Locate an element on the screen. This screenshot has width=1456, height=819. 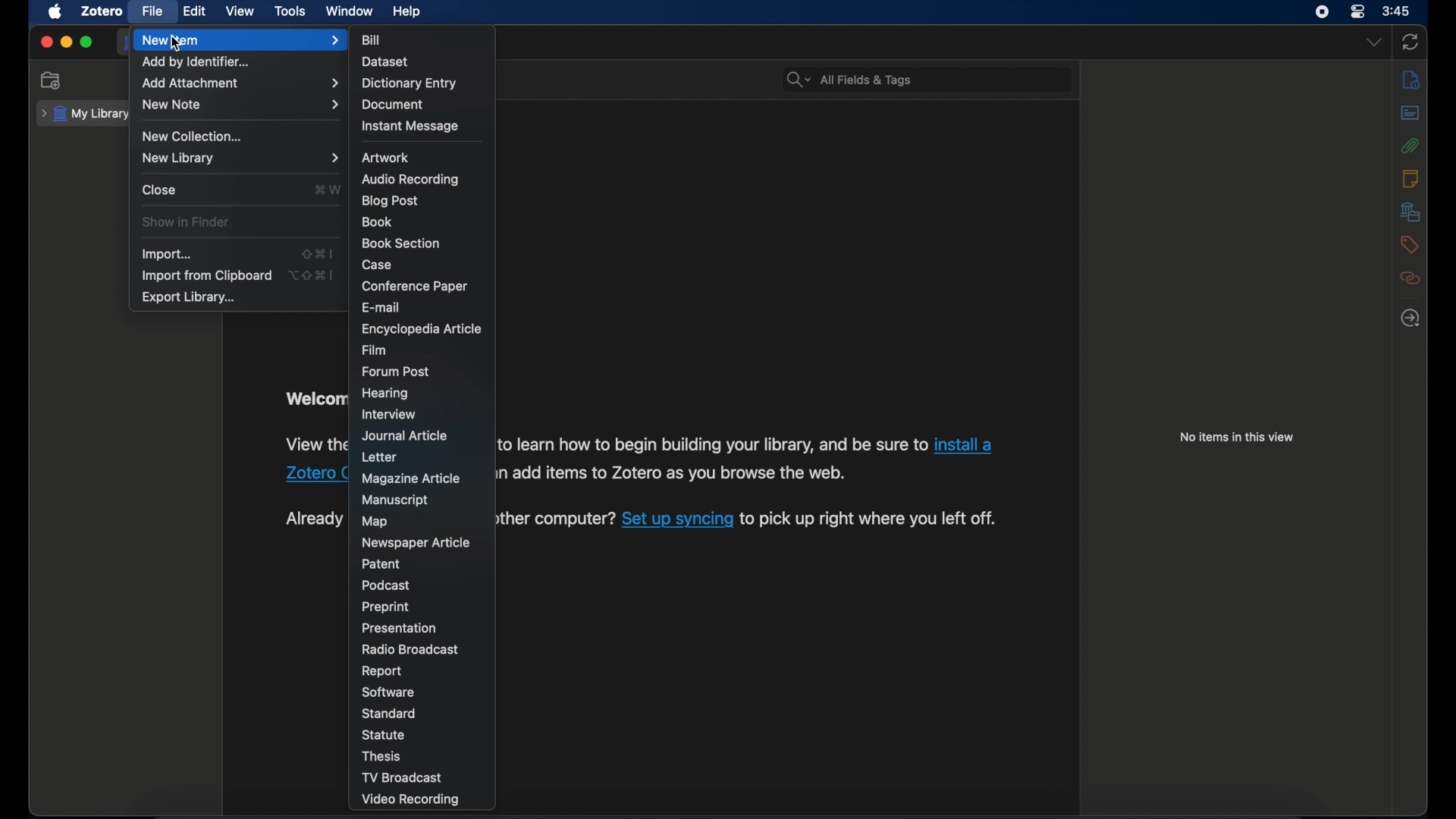
document is located at coordinates (395, 105).